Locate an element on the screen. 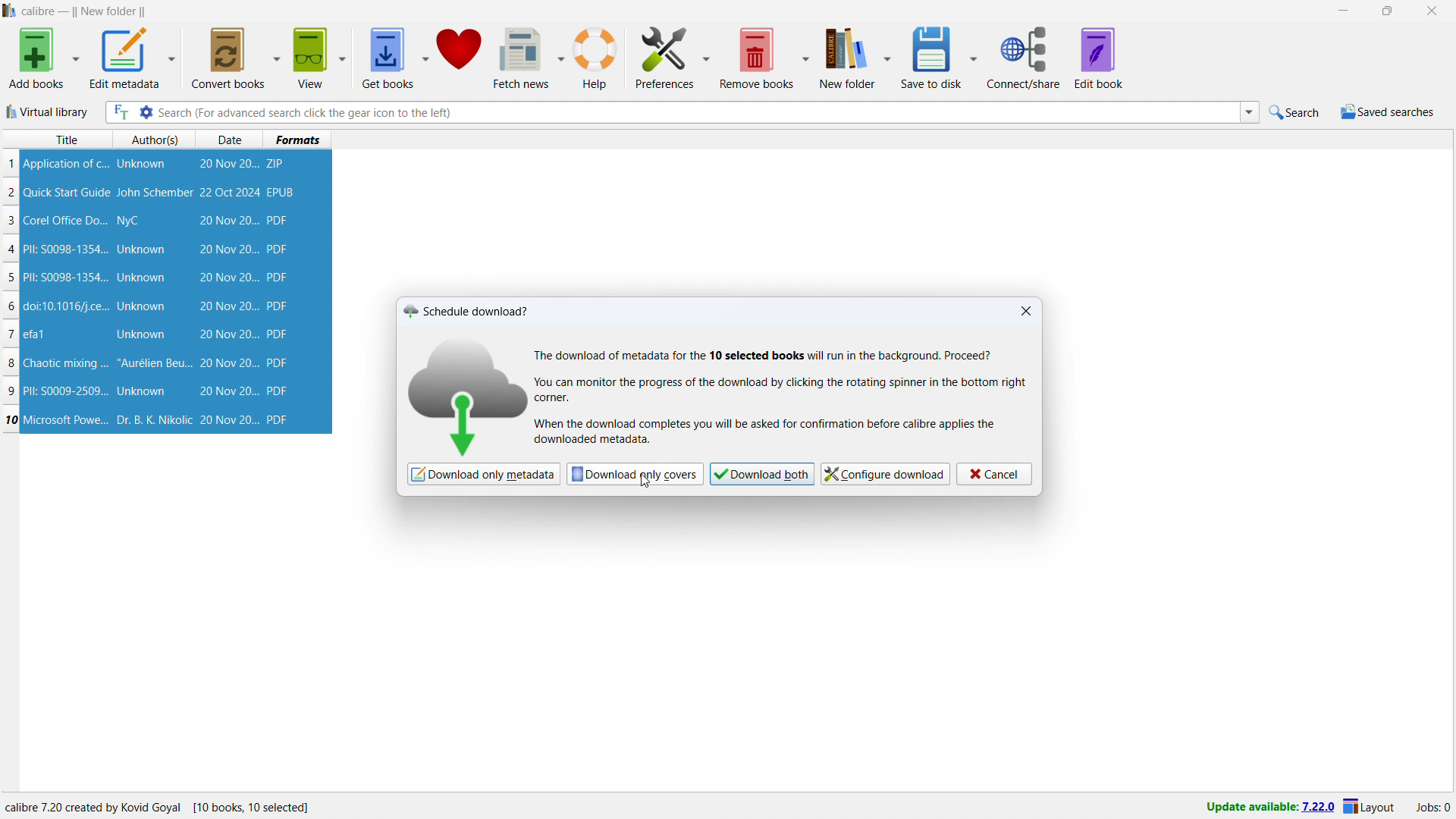 Image resolution: width=1456 pixels, height=819 pixels. PDF is located at coordinates (279, 221).